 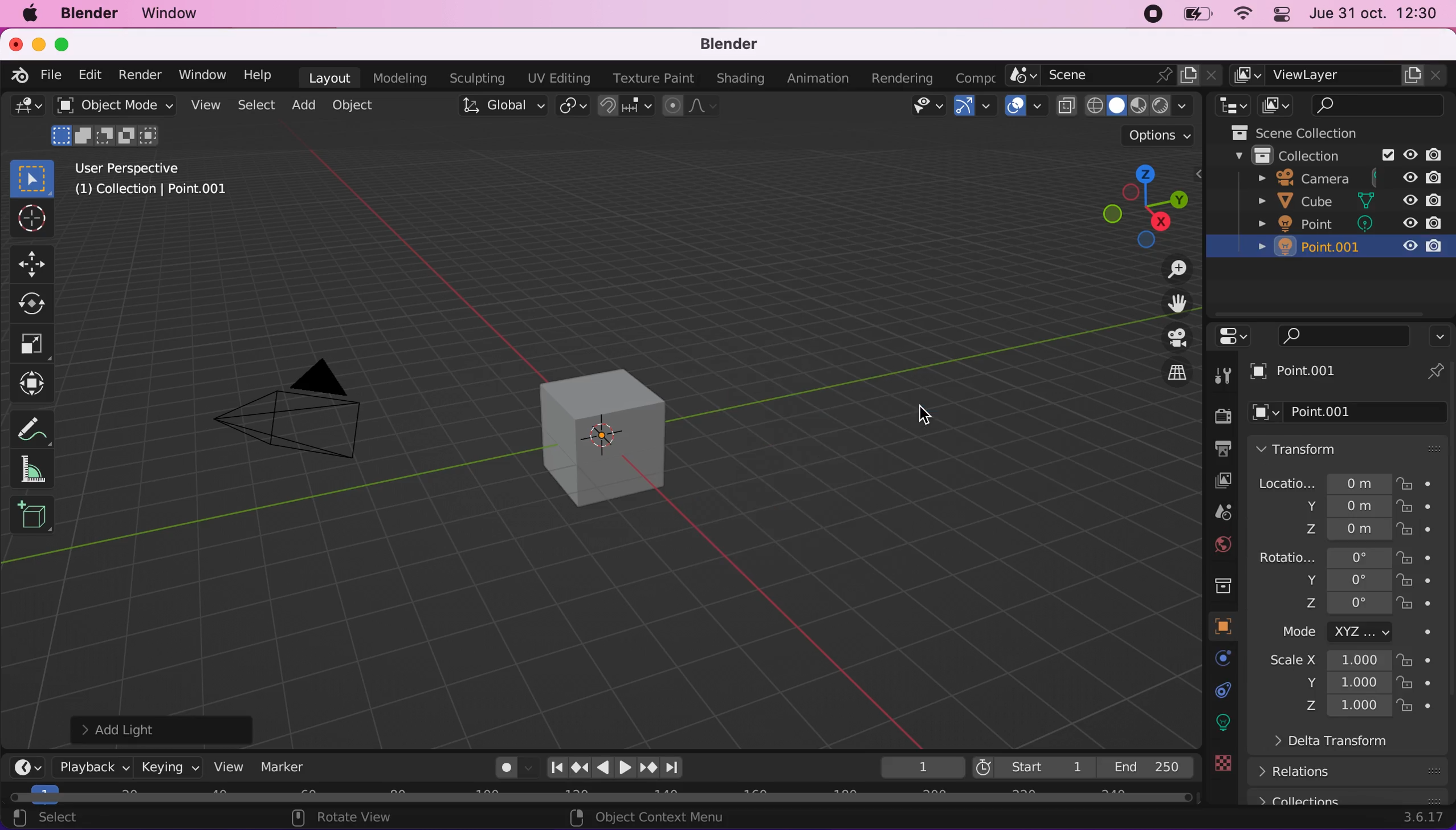 I want to click on transform, so click(x=1354, y=449).